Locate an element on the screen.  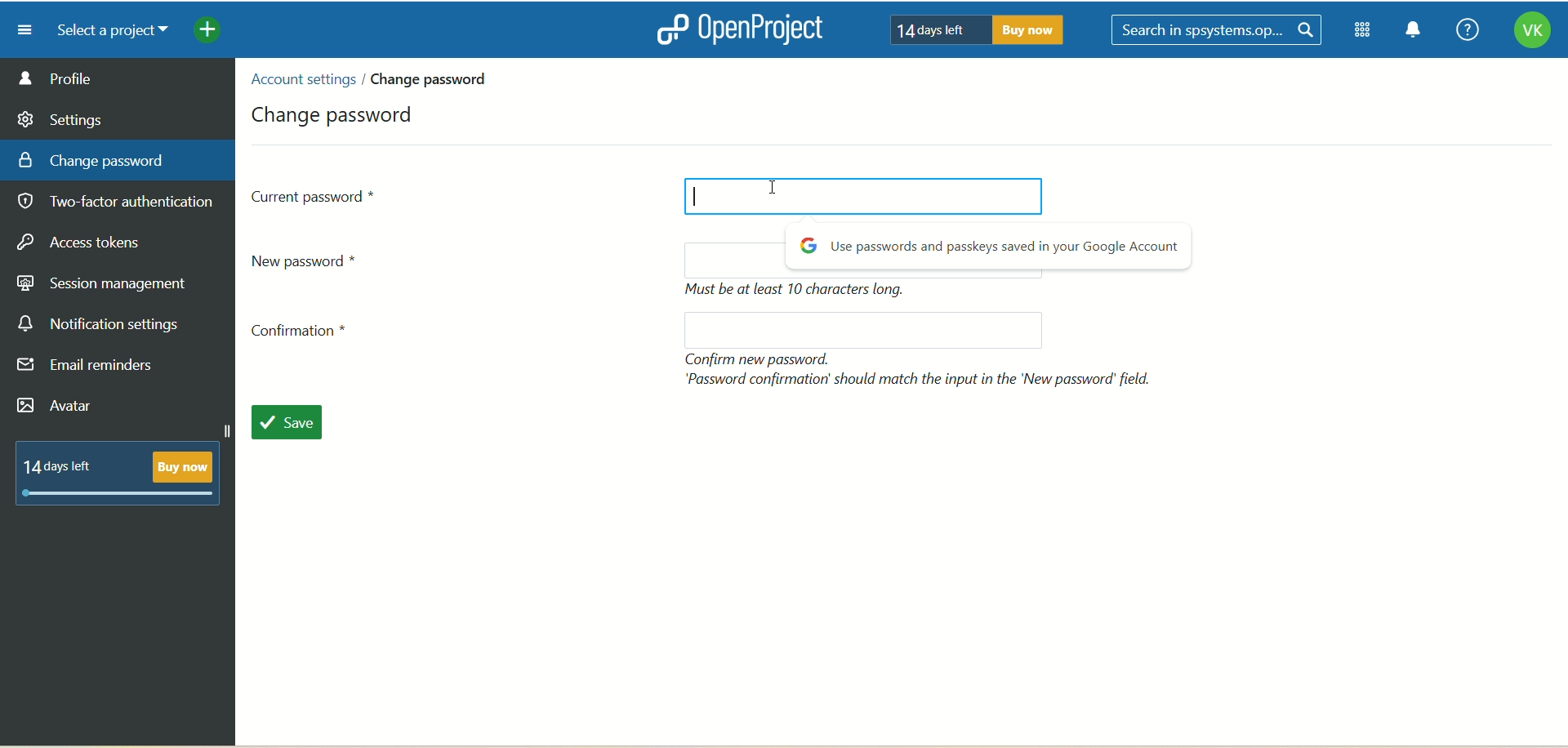
cursor is located at coordinates (693, 197).